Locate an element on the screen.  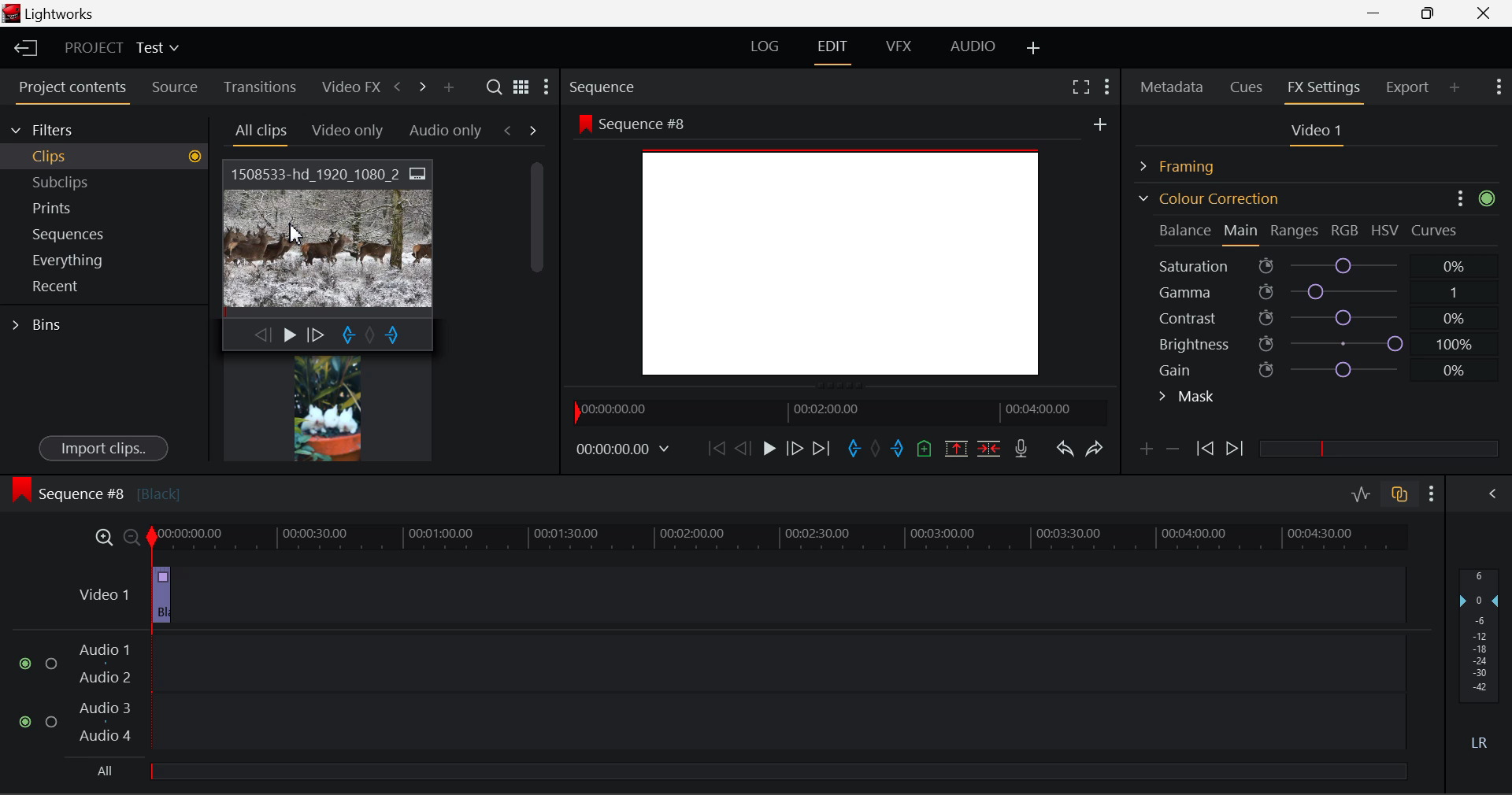
Balance Section is located at coordinates (1187, 230).